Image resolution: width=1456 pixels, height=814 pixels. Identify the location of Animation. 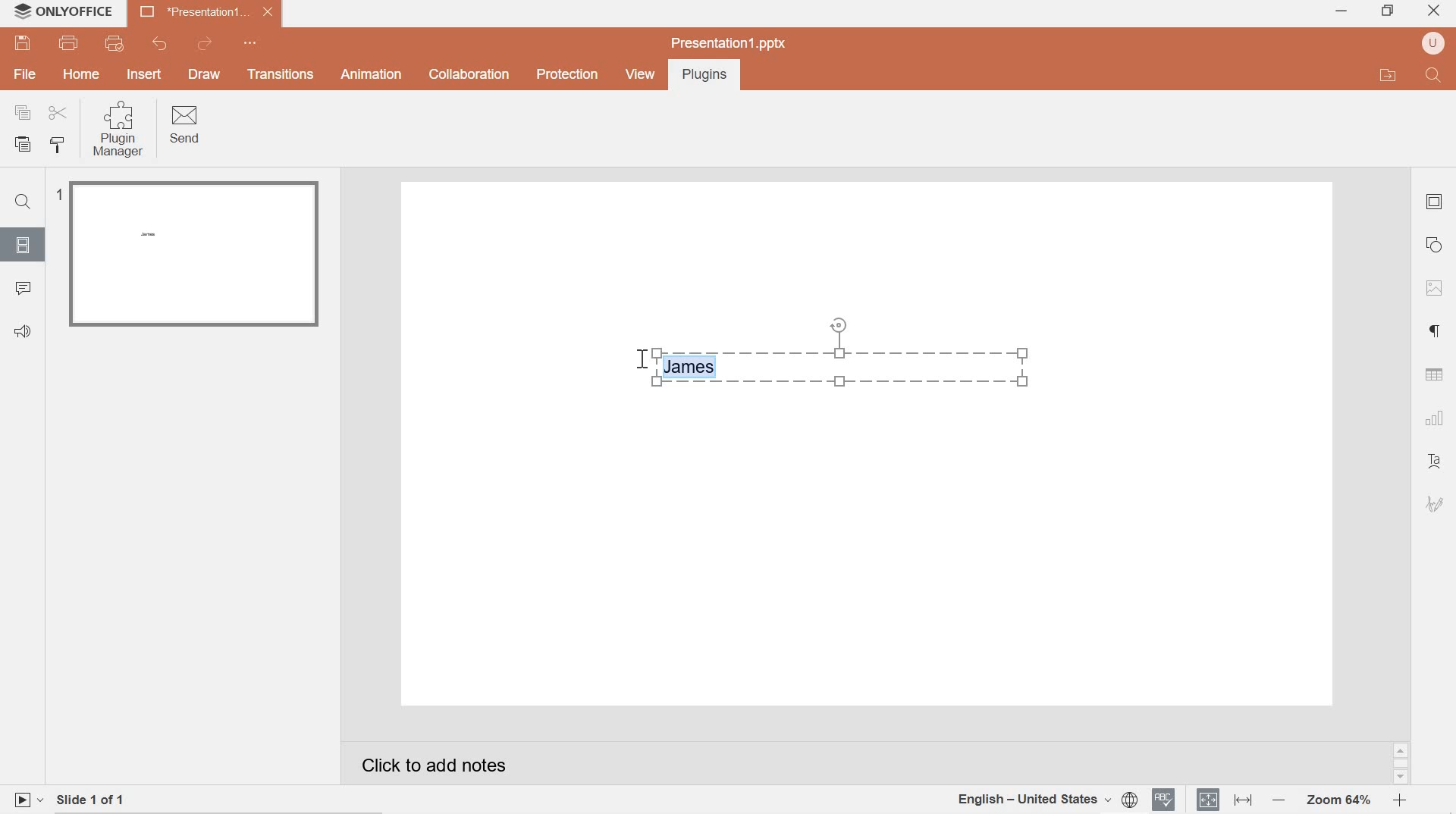
(372, 74).